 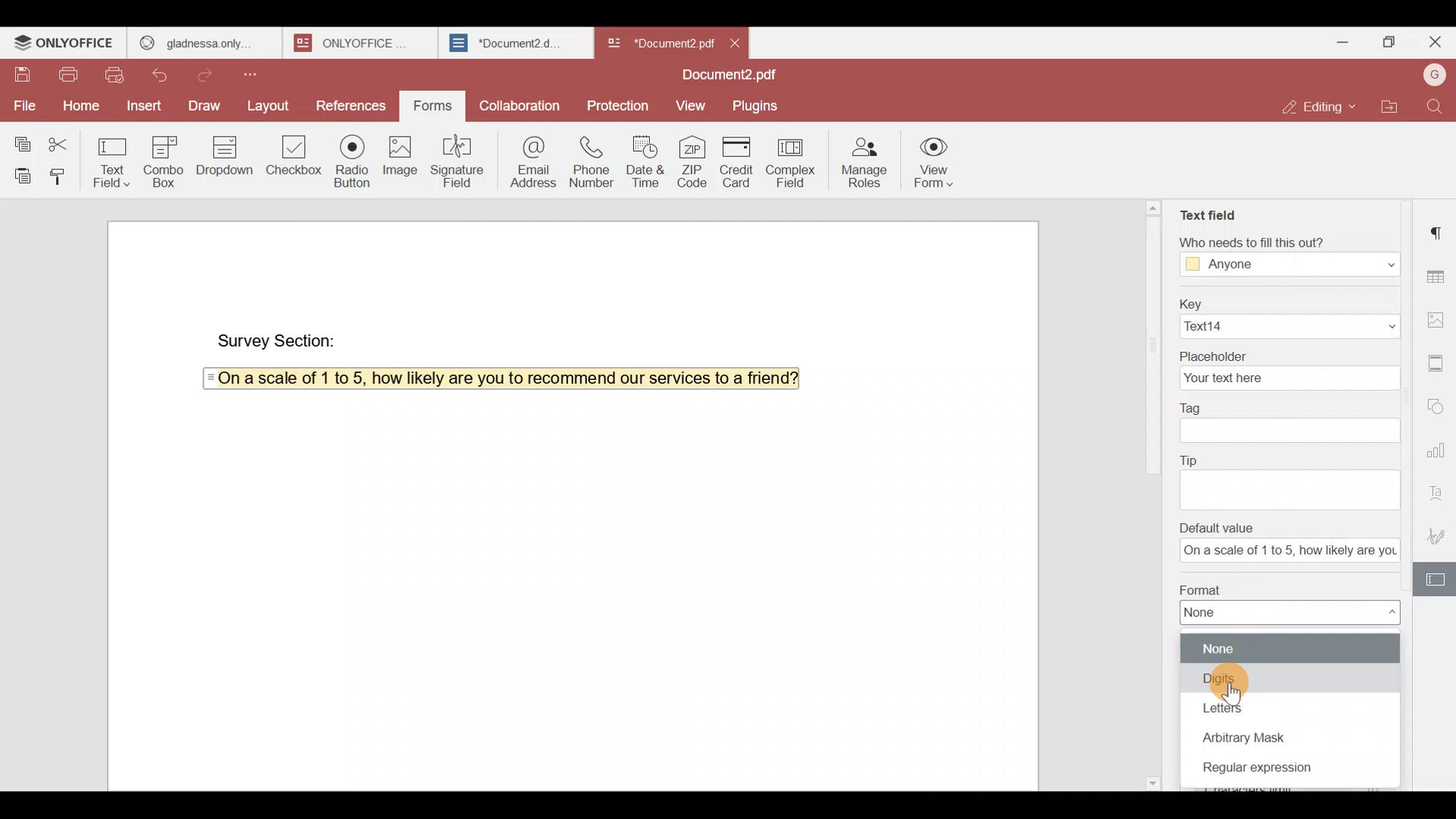 What do you see at coordinates (1438, 536) in the screenshot?
I see `Signature settings` at bounding box center [1438, 536].